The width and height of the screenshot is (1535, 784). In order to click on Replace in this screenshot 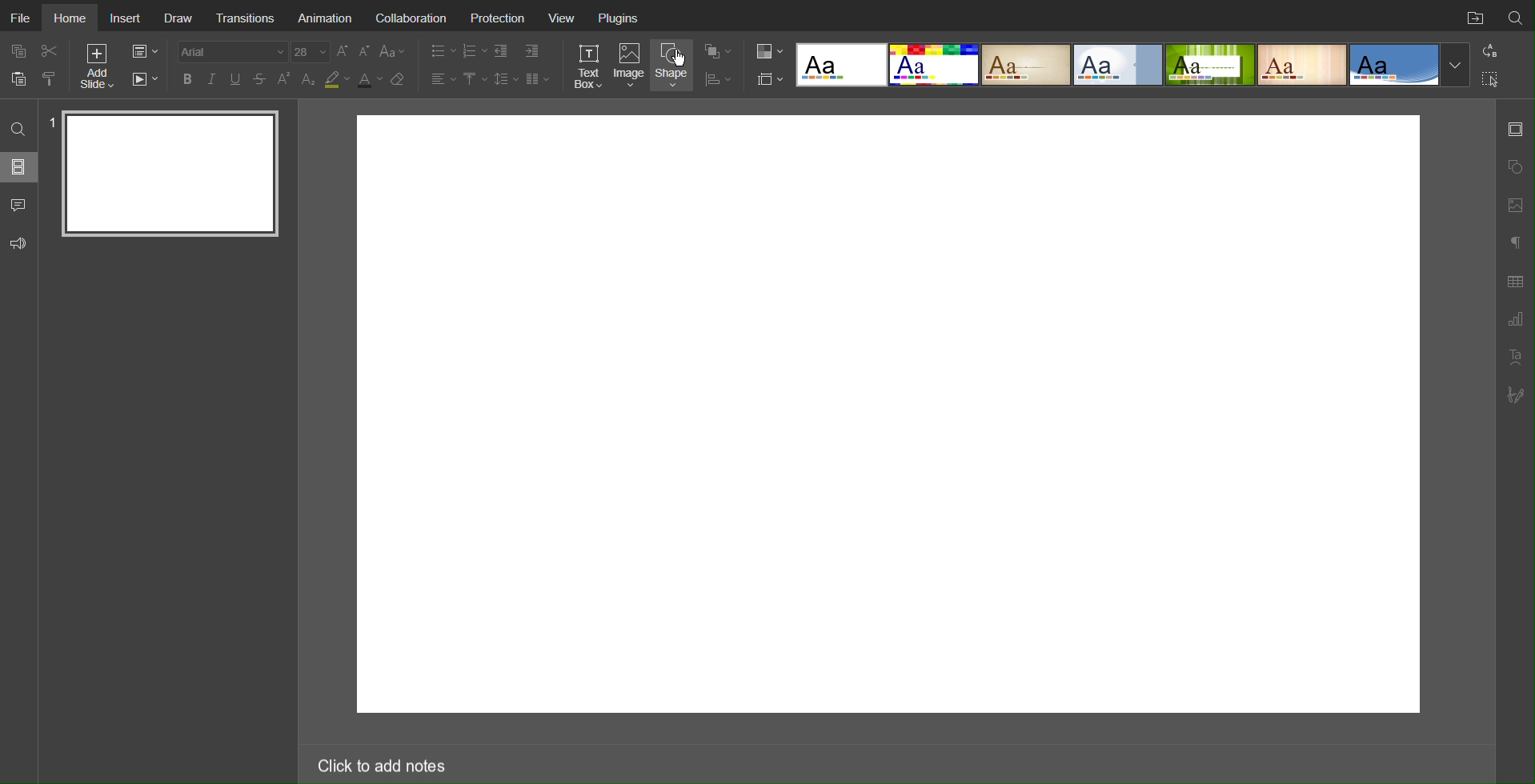, I will do `click(1489, 50)`.